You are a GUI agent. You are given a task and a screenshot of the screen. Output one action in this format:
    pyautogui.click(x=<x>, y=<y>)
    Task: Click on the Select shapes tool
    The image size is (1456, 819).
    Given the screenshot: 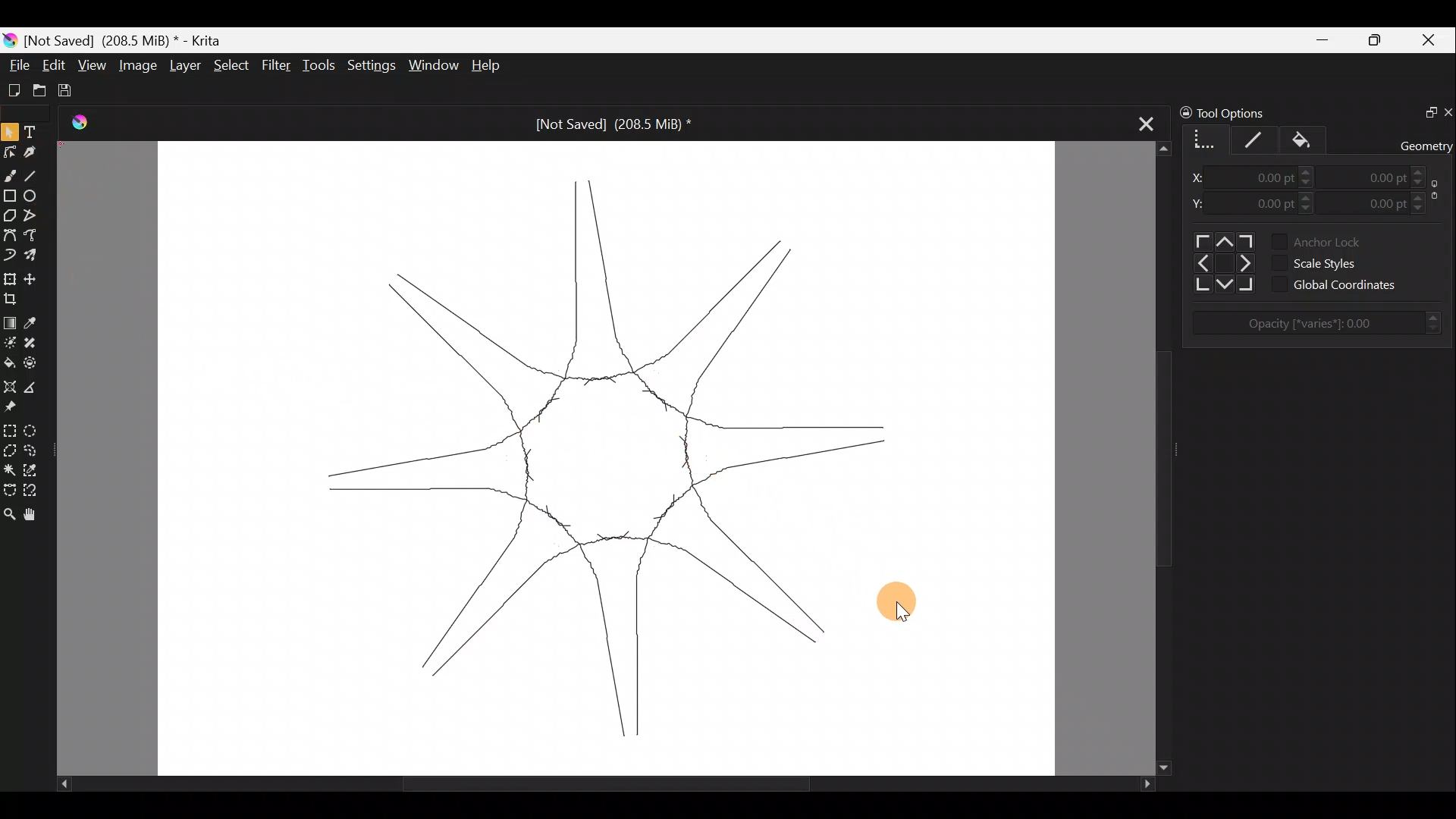 What is the action you would take?
    pyautogui.click(x=10, y=130)
    